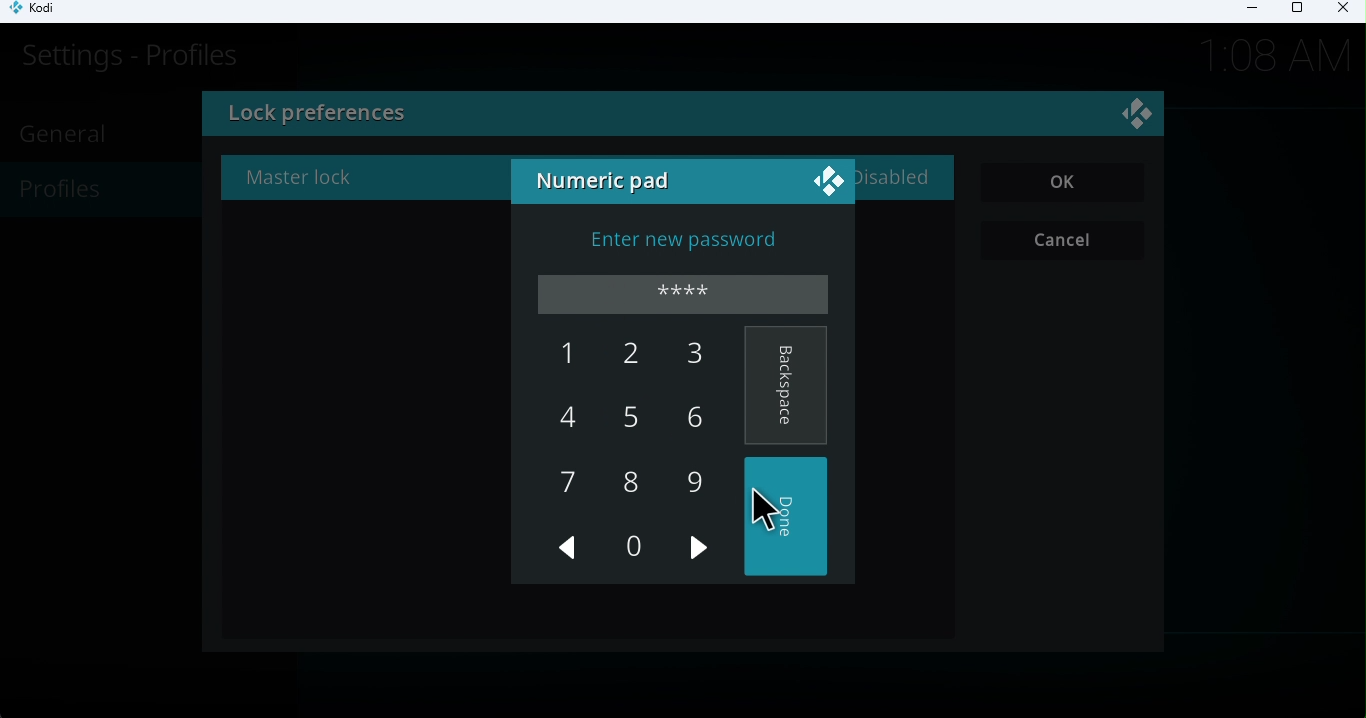 This screenshot has width=1366, height=718. Describe the element at coordinates (694, 481) in the screenshot. I see `9` at that location.